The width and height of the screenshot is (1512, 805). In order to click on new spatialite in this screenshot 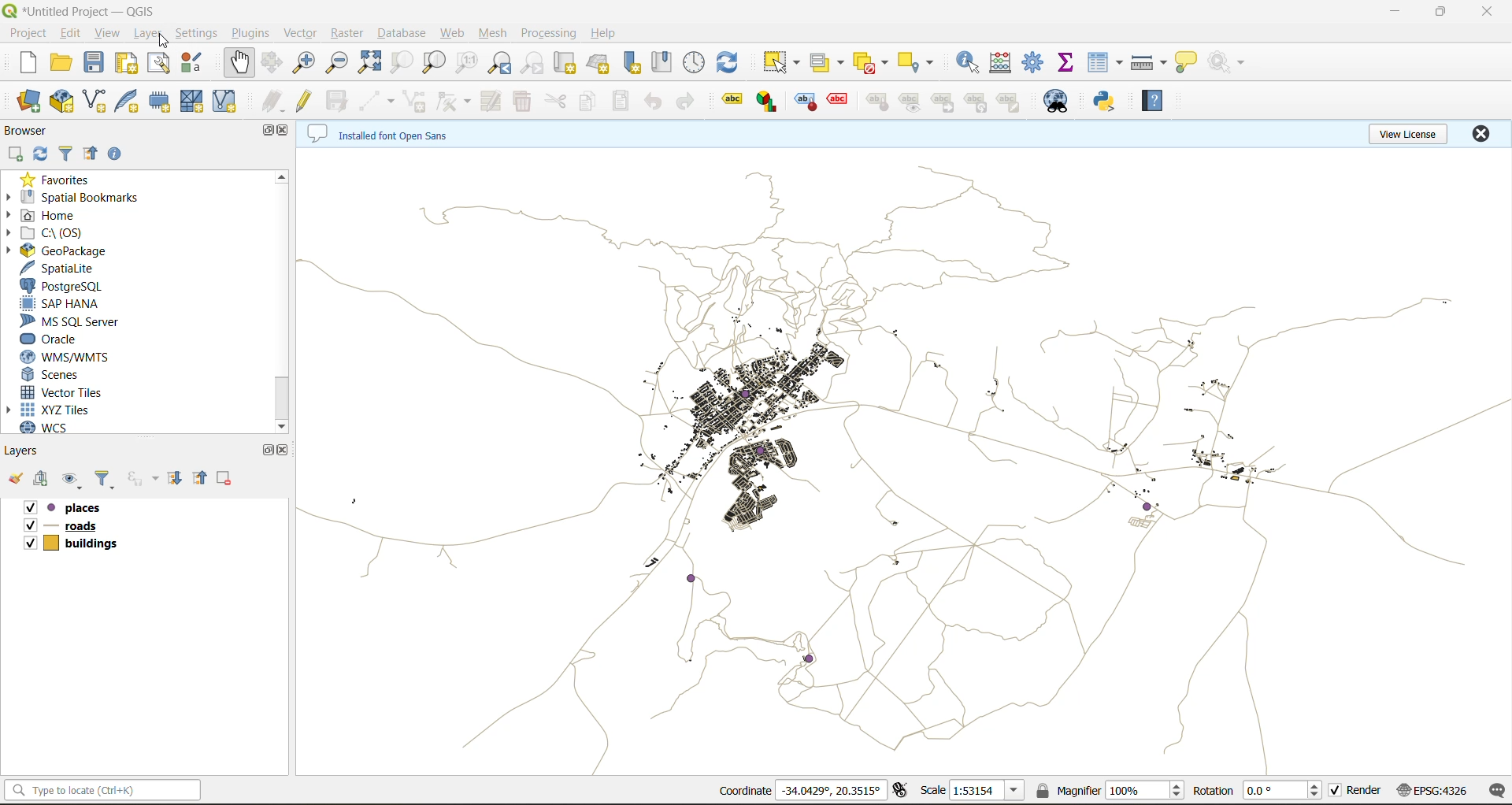, I will do `click(124, 102)`.